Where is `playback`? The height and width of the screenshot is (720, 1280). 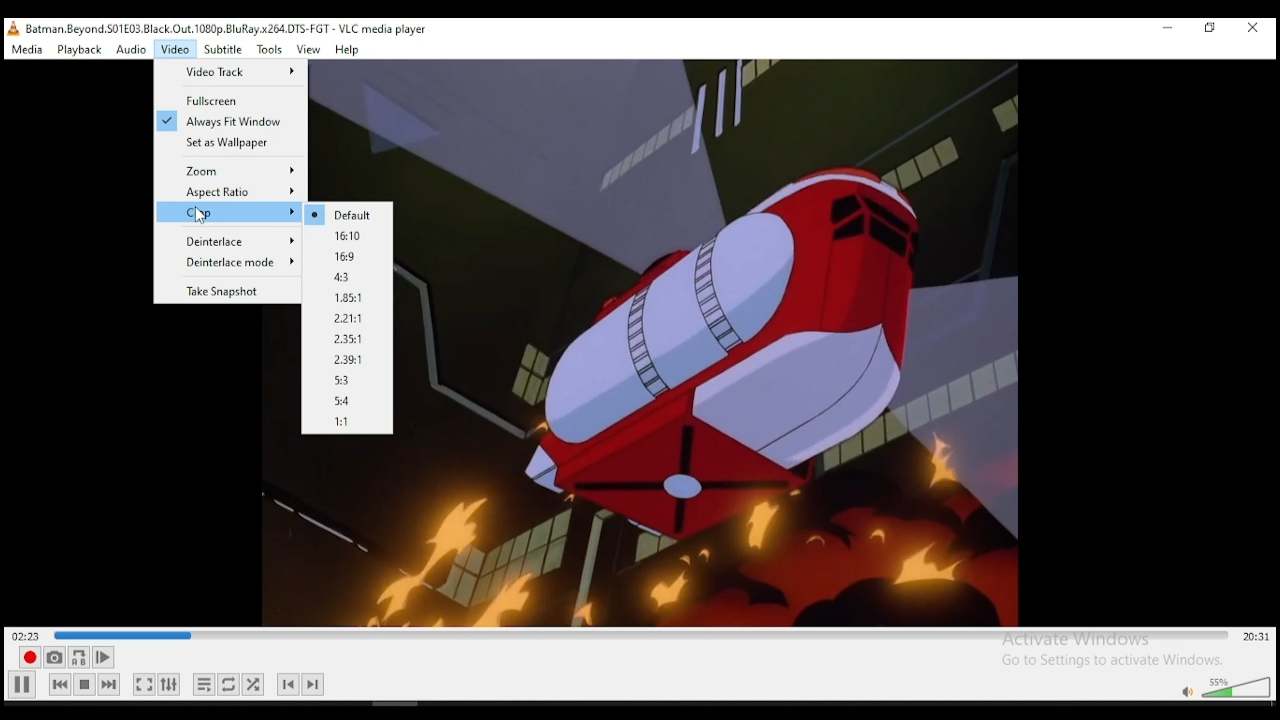
playback is located at coordinates (80, 50).